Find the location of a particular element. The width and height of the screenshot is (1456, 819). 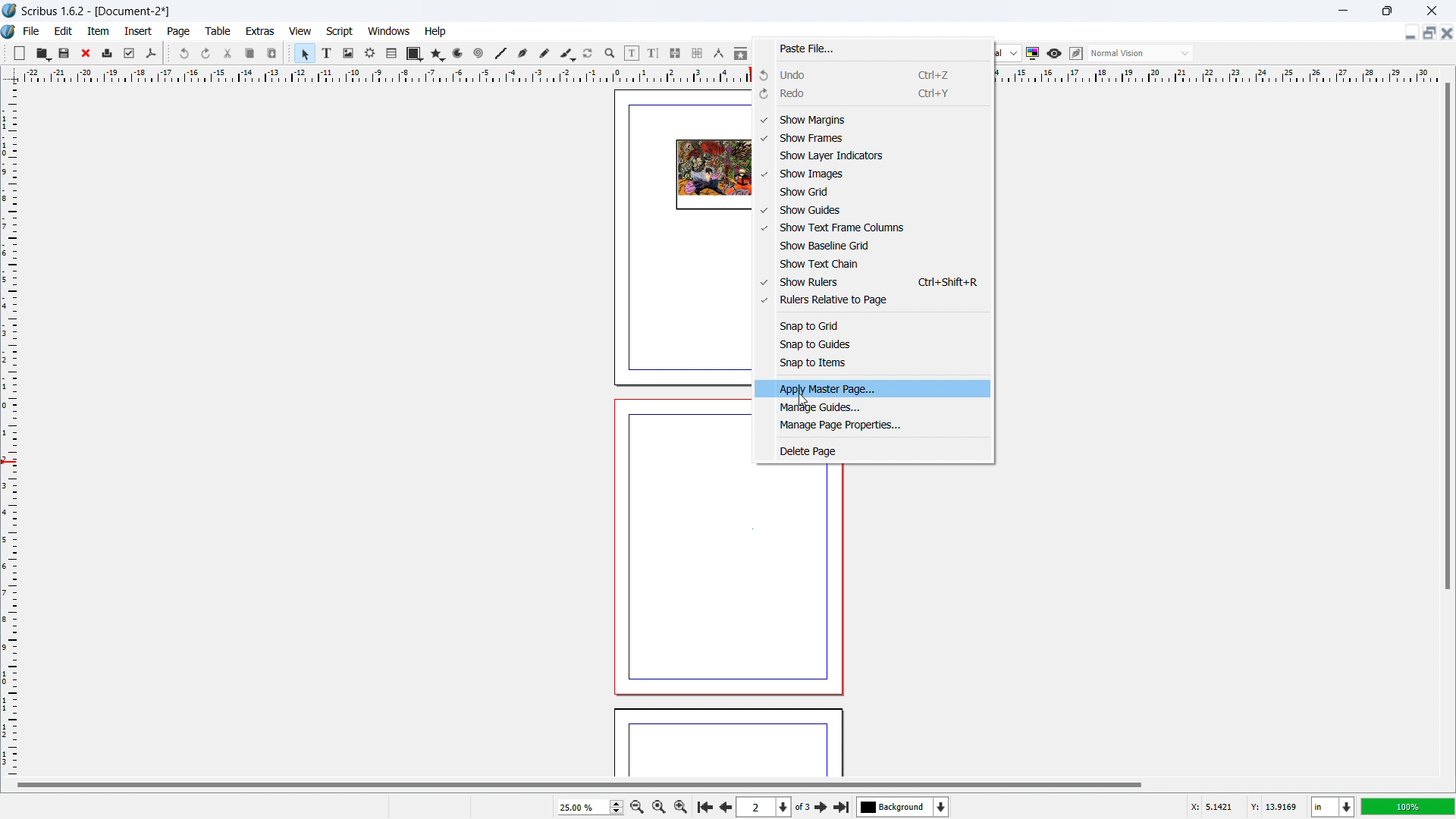

apply master page is located at coordinates (875, 388).